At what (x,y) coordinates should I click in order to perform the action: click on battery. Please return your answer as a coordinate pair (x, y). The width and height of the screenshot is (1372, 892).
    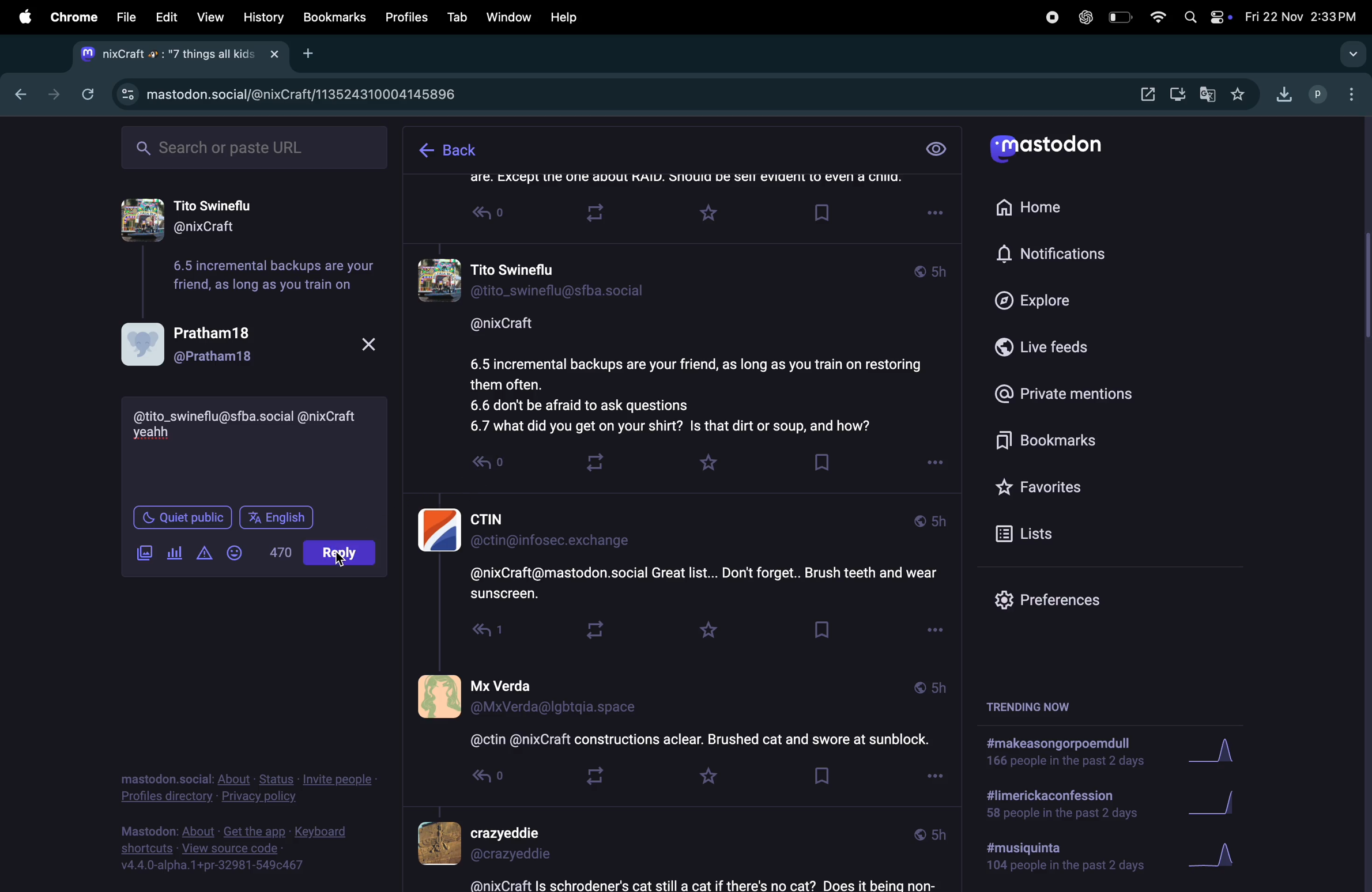
    Looking at the image, I should click on (1122, 17).